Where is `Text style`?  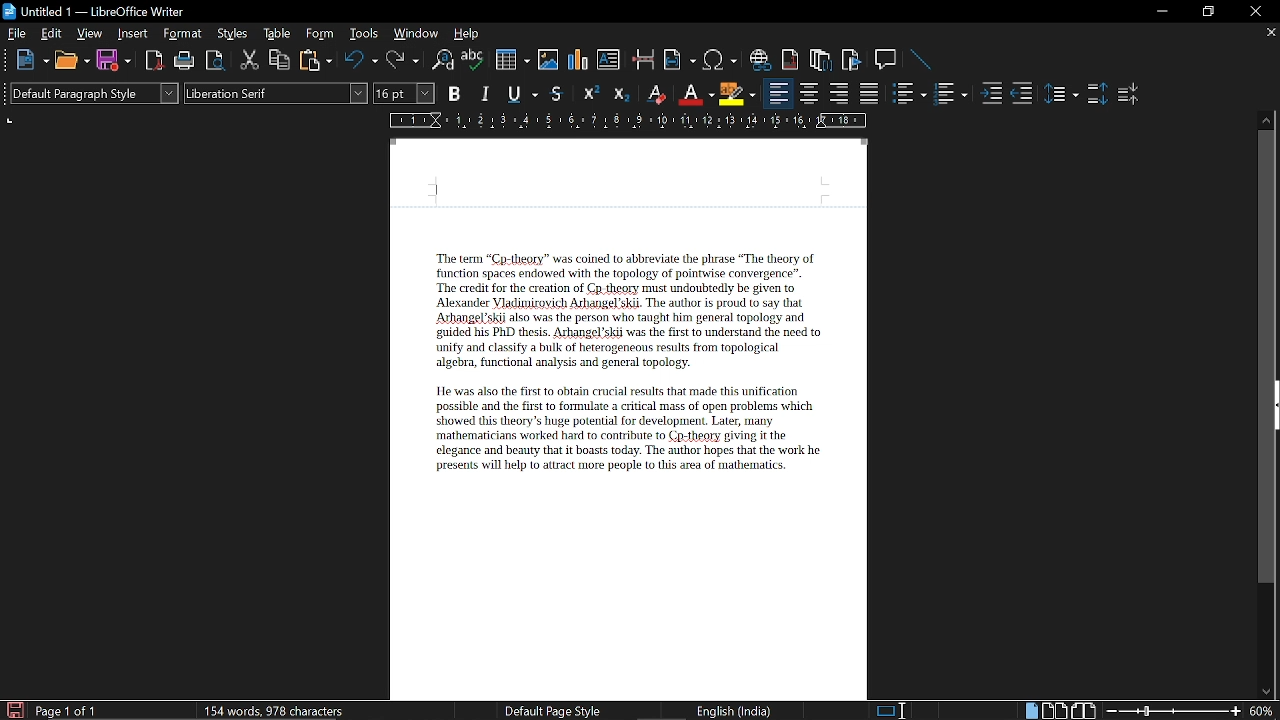 Text style is located at coordinates (277, 93).